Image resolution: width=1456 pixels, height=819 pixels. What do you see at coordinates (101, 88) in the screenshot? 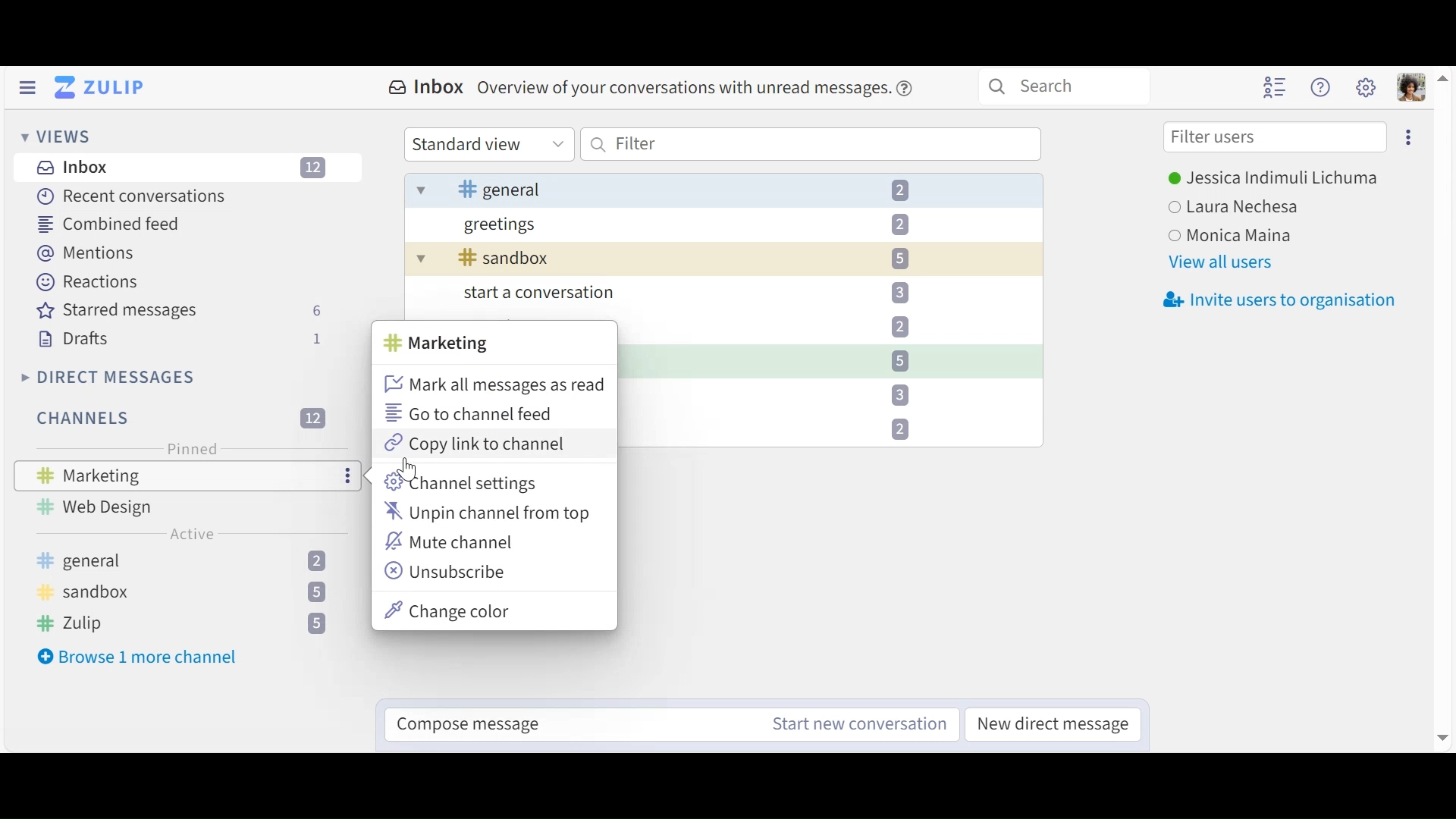
I see `Go to Home View (inbox)` at bounding box center [101, 88].